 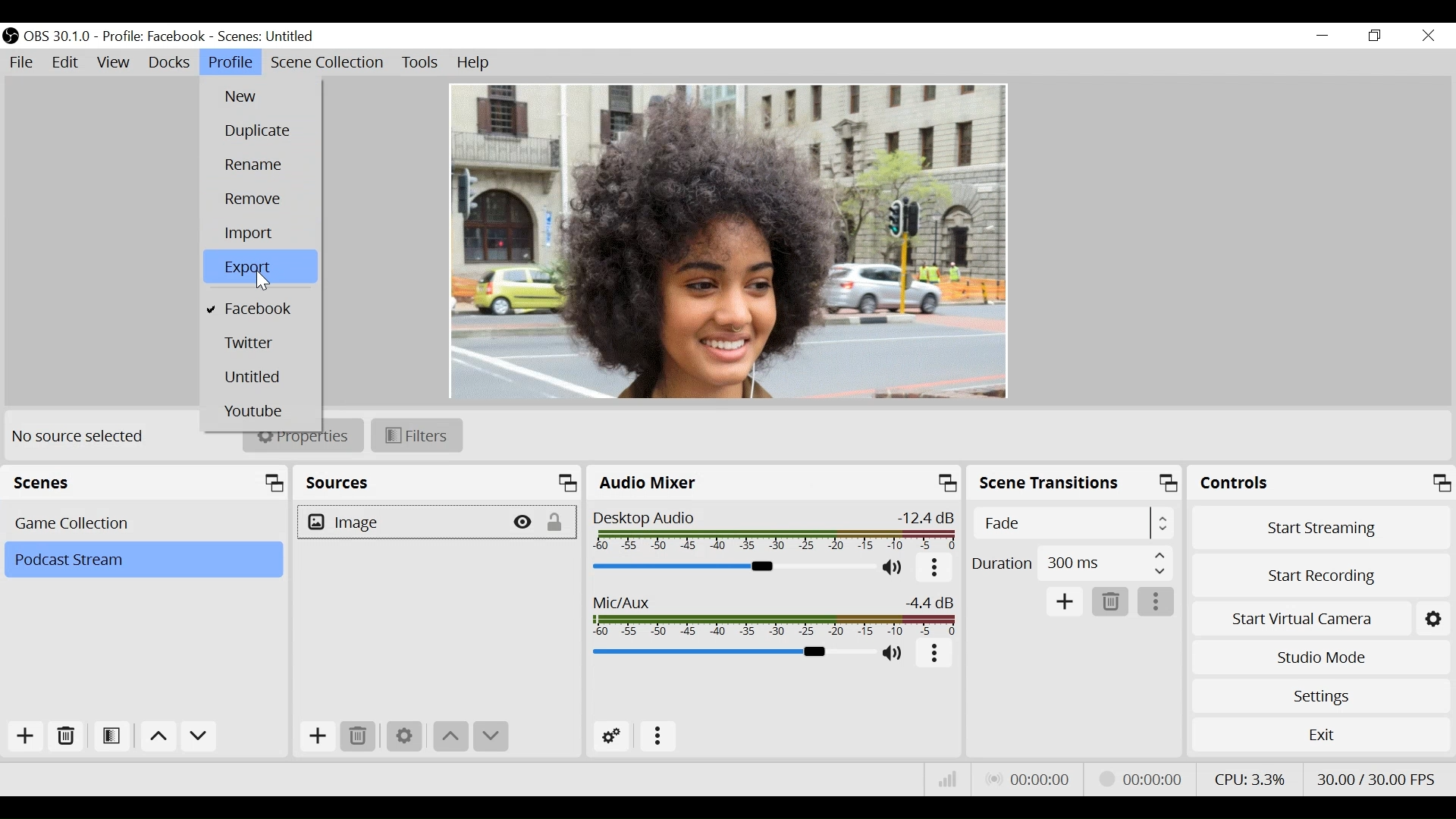 I want to click on Facebook, so click(x=256, y=311).